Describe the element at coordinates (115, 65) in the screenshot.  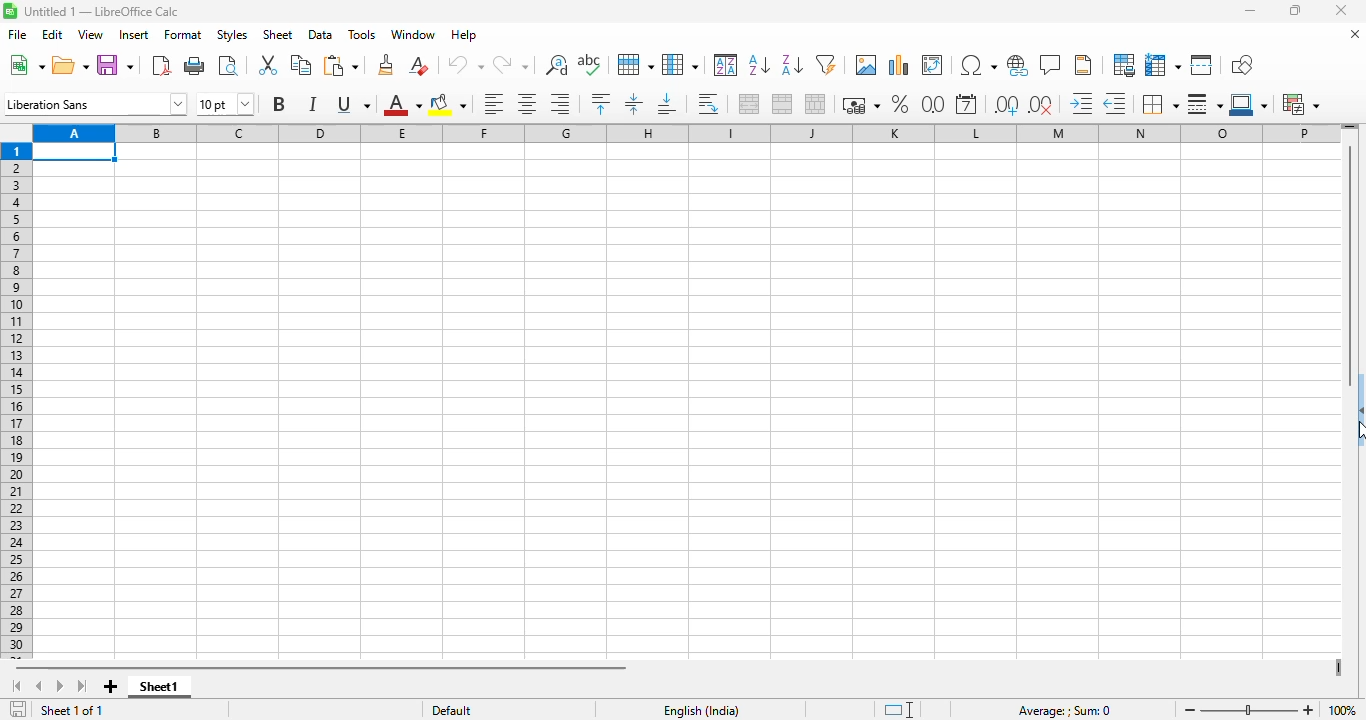
I see `save` at that location.